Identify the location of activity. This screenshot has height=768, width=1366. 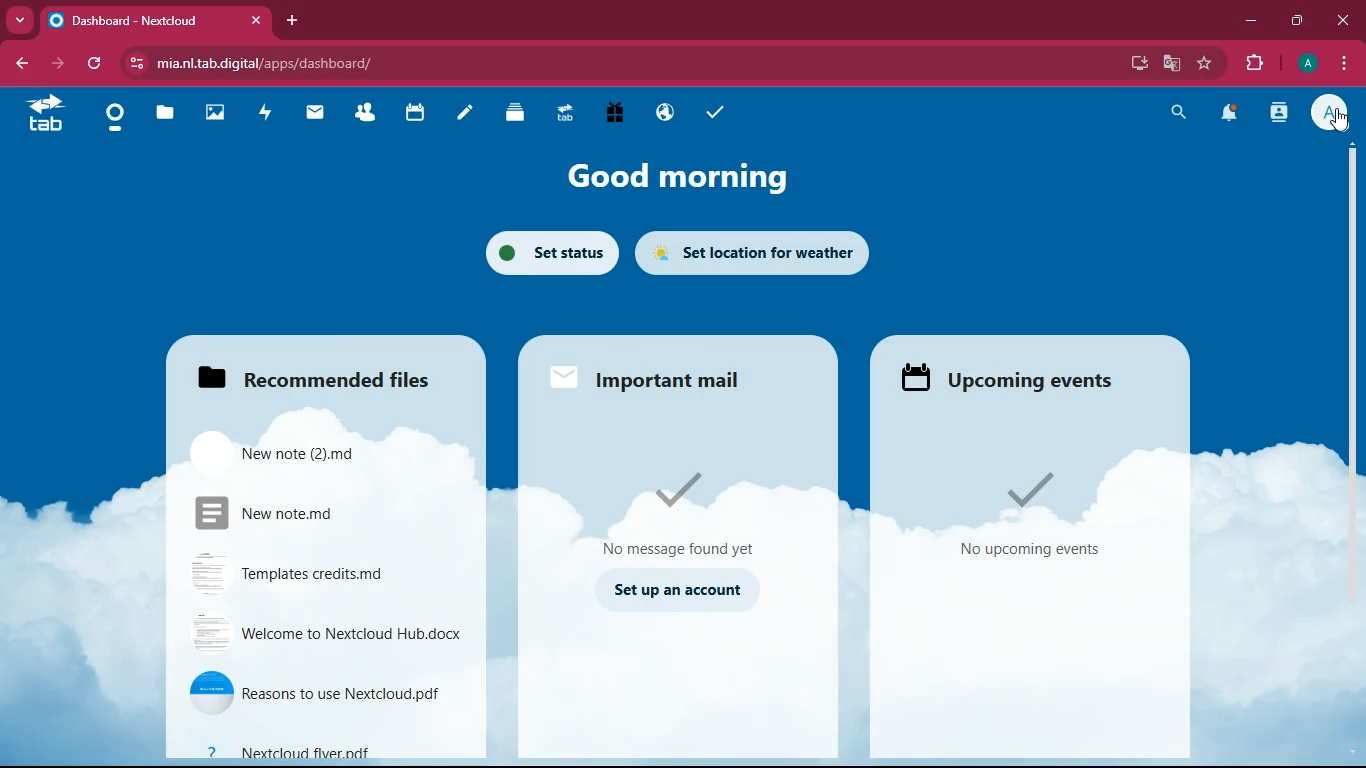
(271, 110).